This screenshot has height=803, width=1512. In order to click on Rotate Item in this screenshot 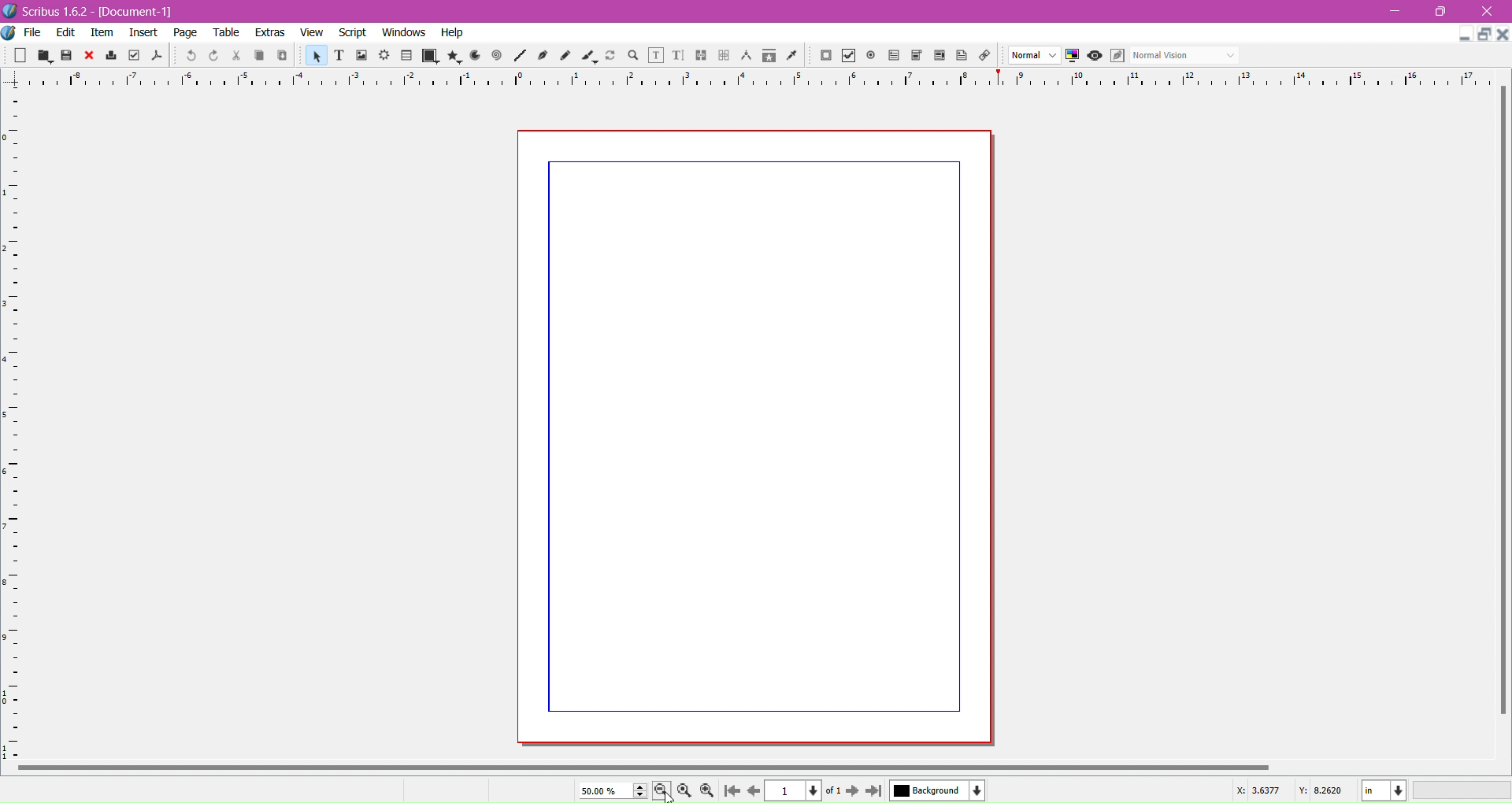, I will do `click(610, 55)`.